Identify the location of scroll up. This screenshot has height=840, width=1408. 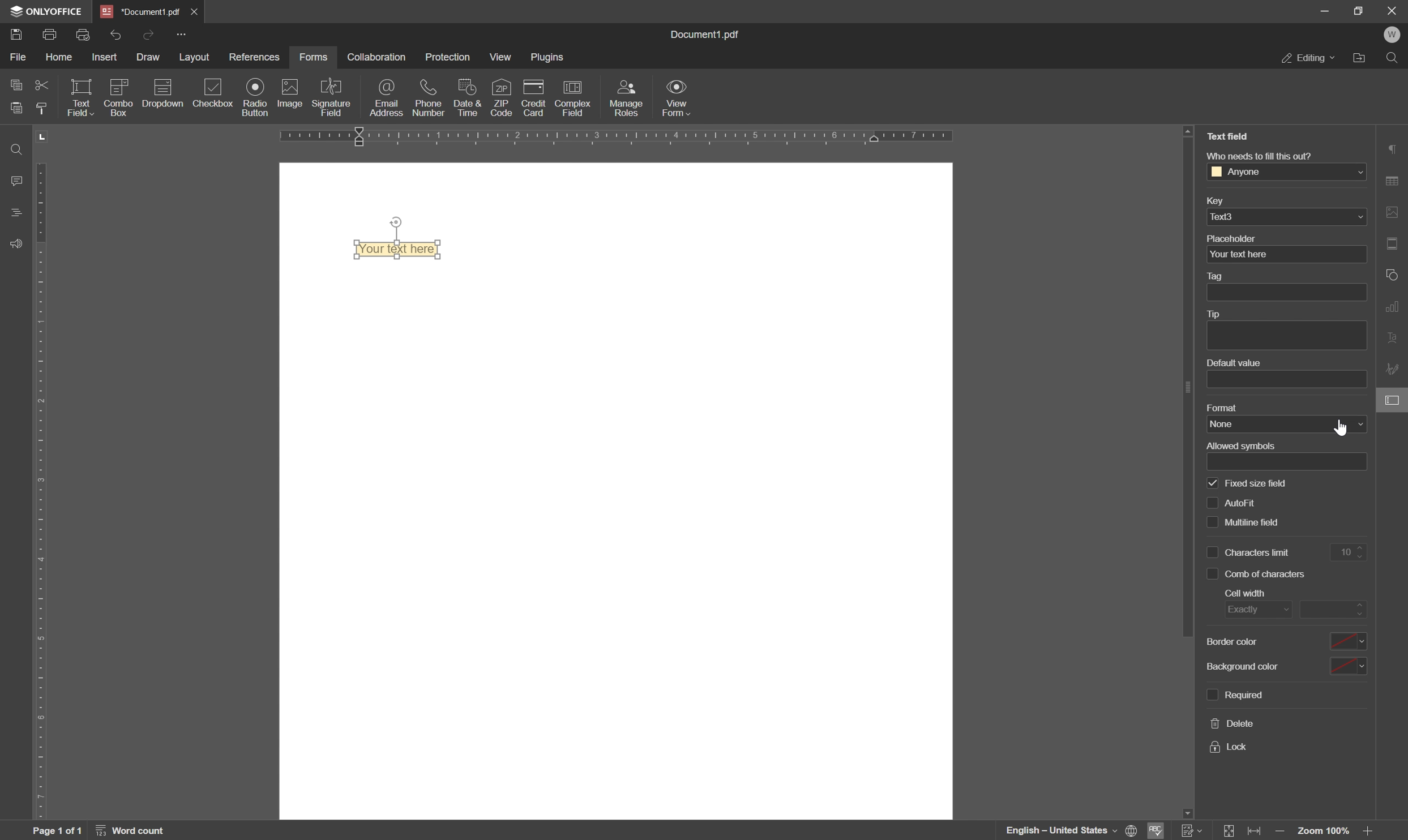
(1188, 131).